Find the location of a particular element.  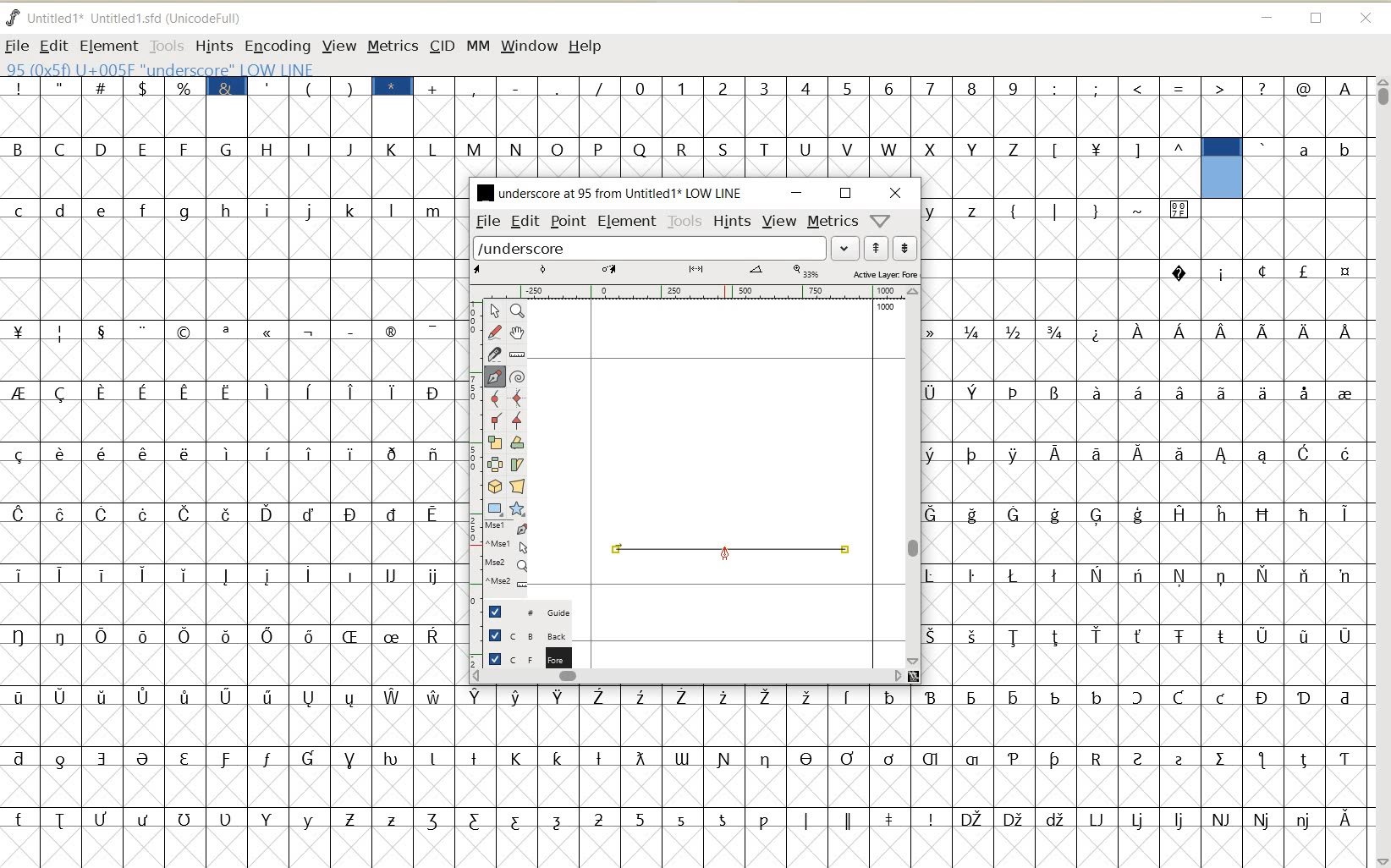

EXPAND is located at coordinates (846, 249).